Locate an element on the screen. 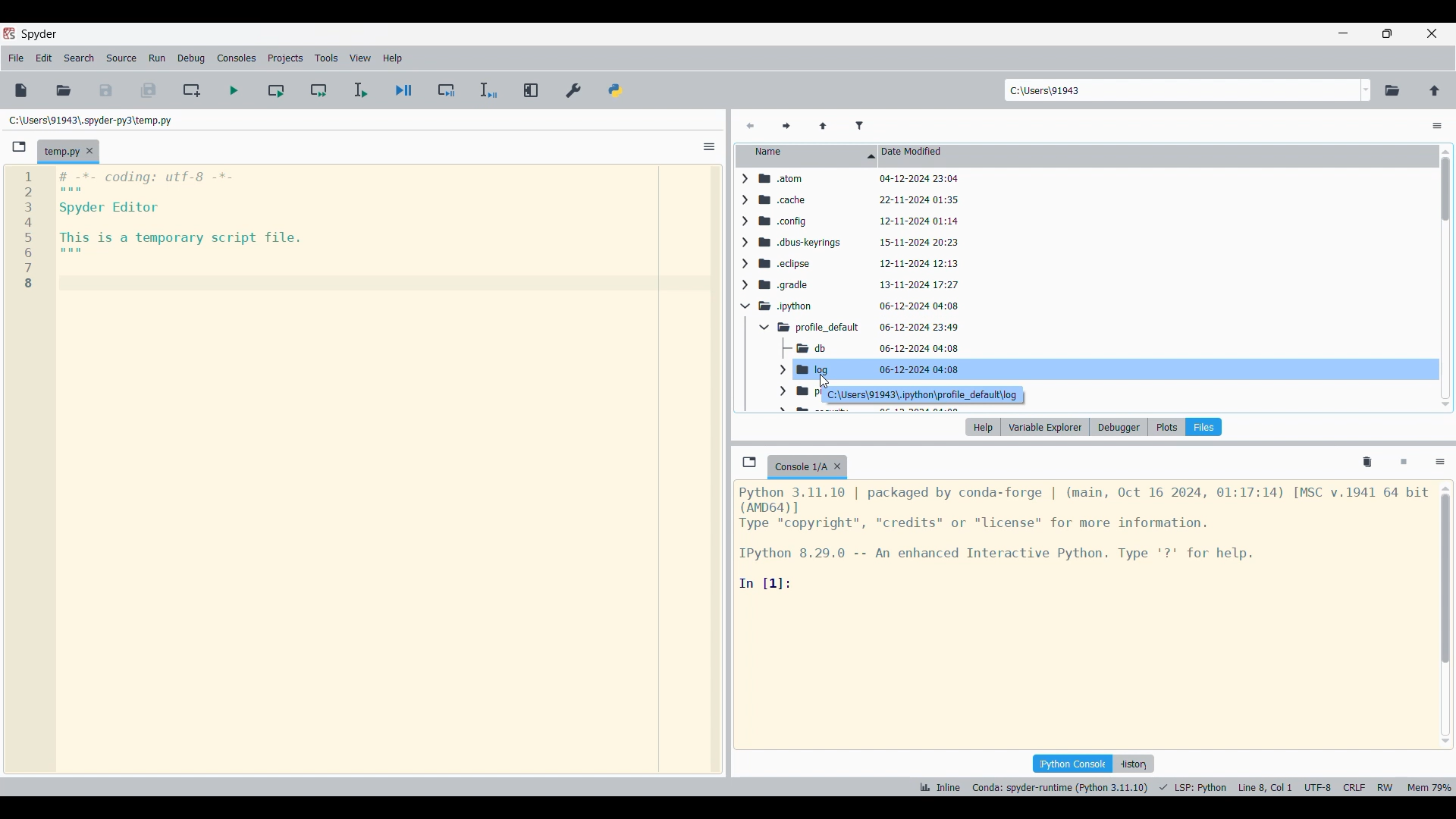 The width and height of the screenshot is (1456, 819). Remove all variables from namespace is located at coordinates (1367, 463).